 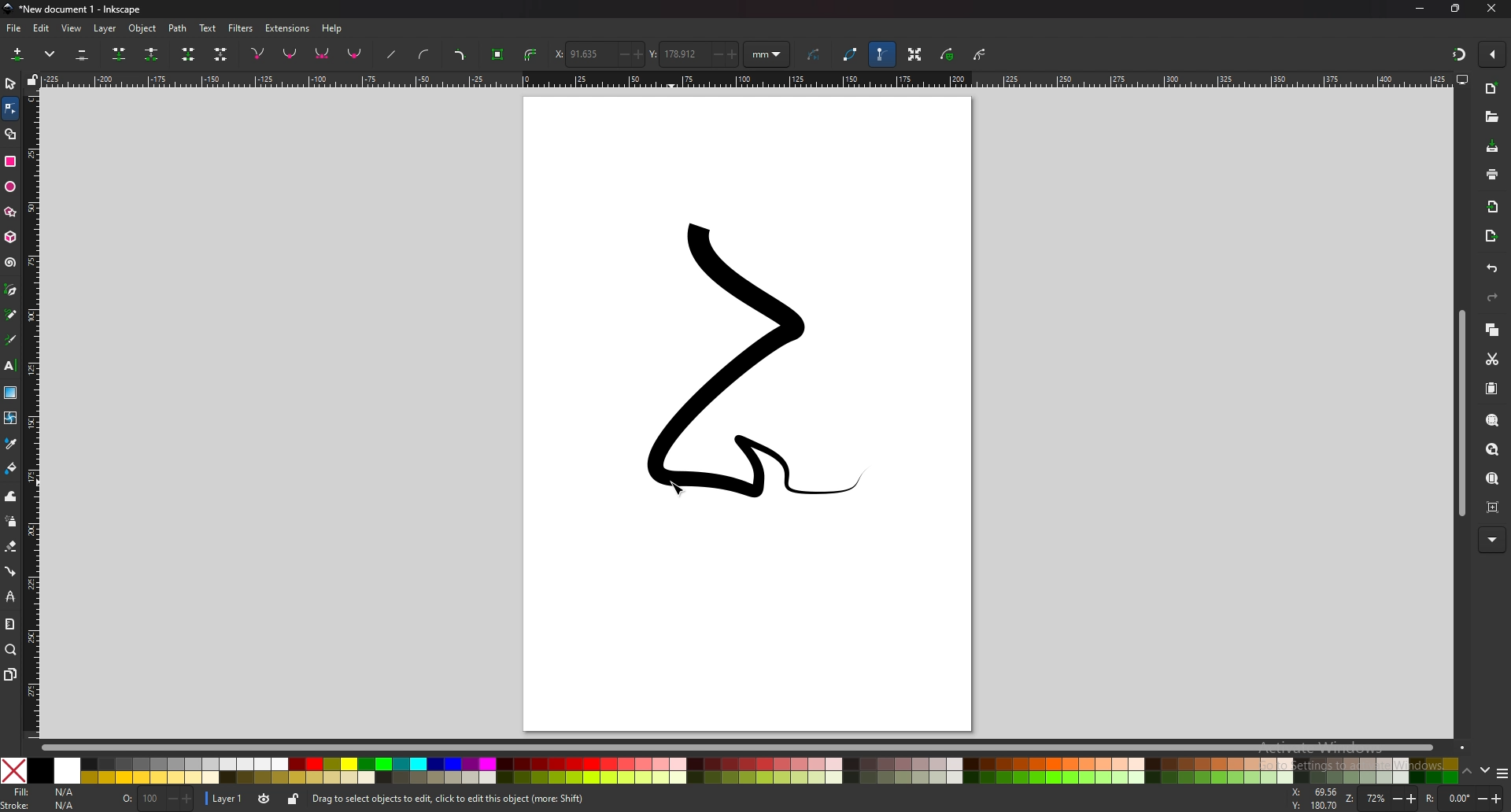 I want to click on options, so click(x=1502, y=773).